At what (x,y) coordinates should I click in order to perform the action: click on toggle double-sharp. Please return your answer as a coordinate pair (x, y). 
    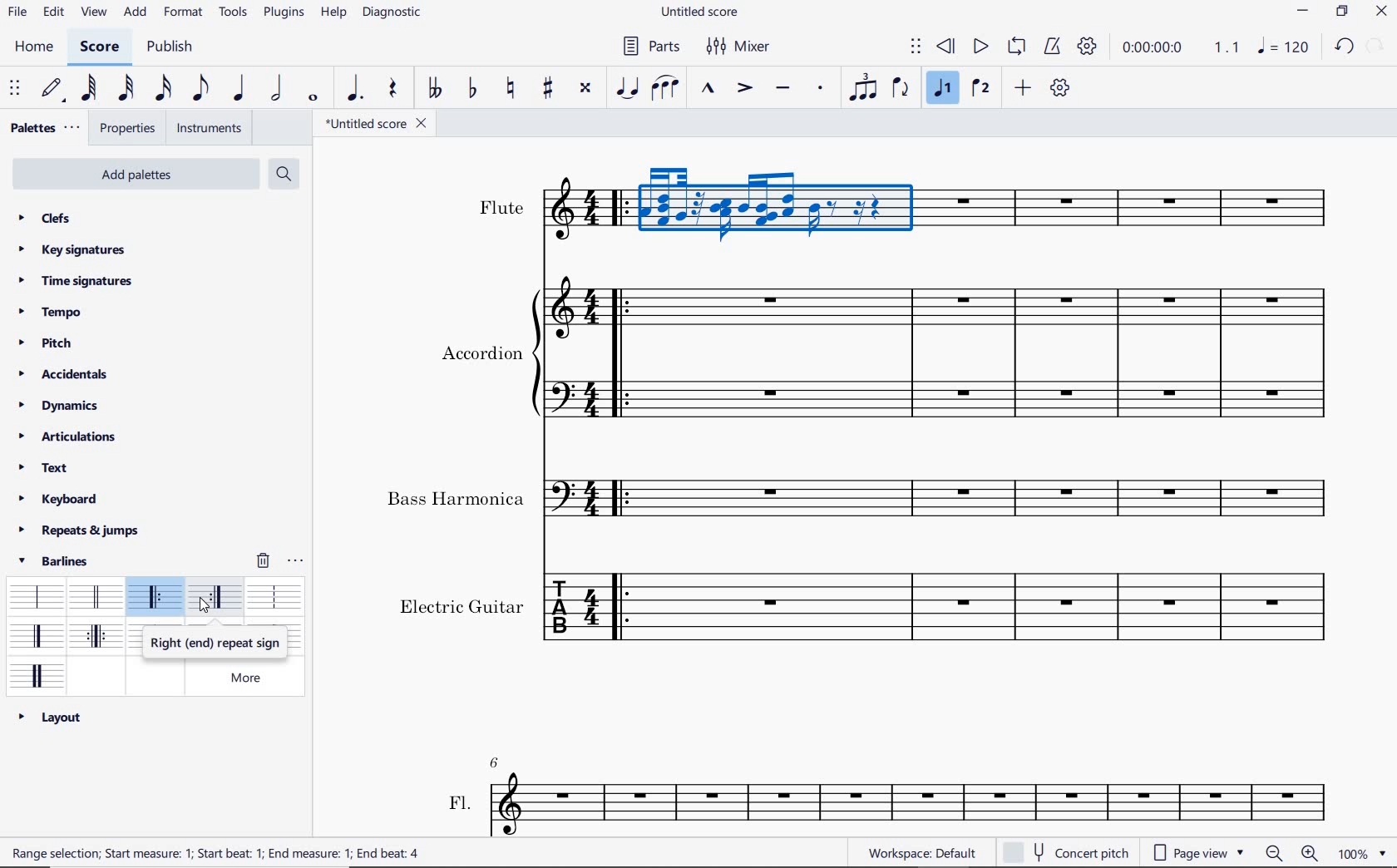
    Looking at the image, I should click on (585, 88).